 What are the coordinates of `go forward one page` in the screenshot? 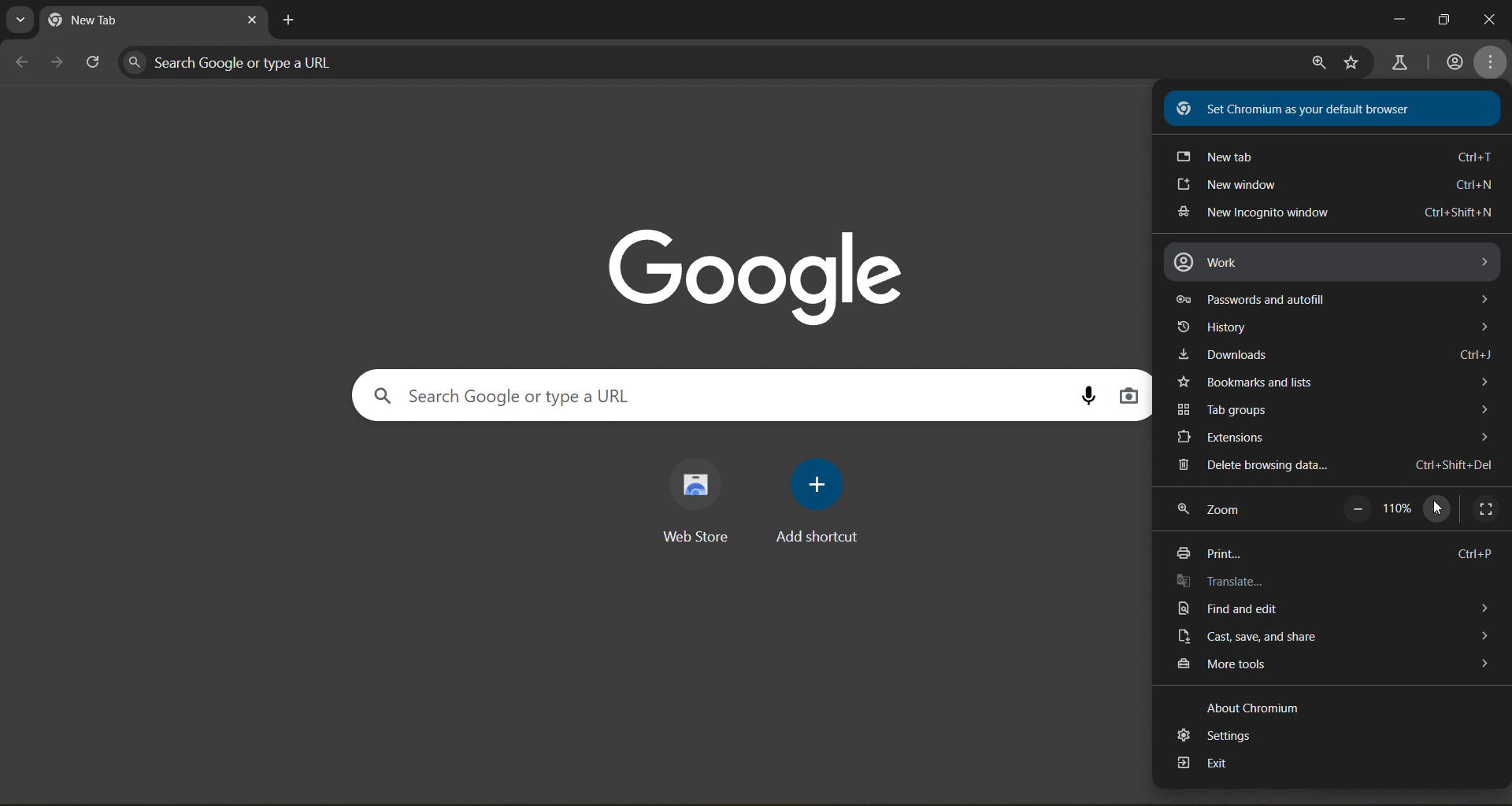 It's located at (57, 63).